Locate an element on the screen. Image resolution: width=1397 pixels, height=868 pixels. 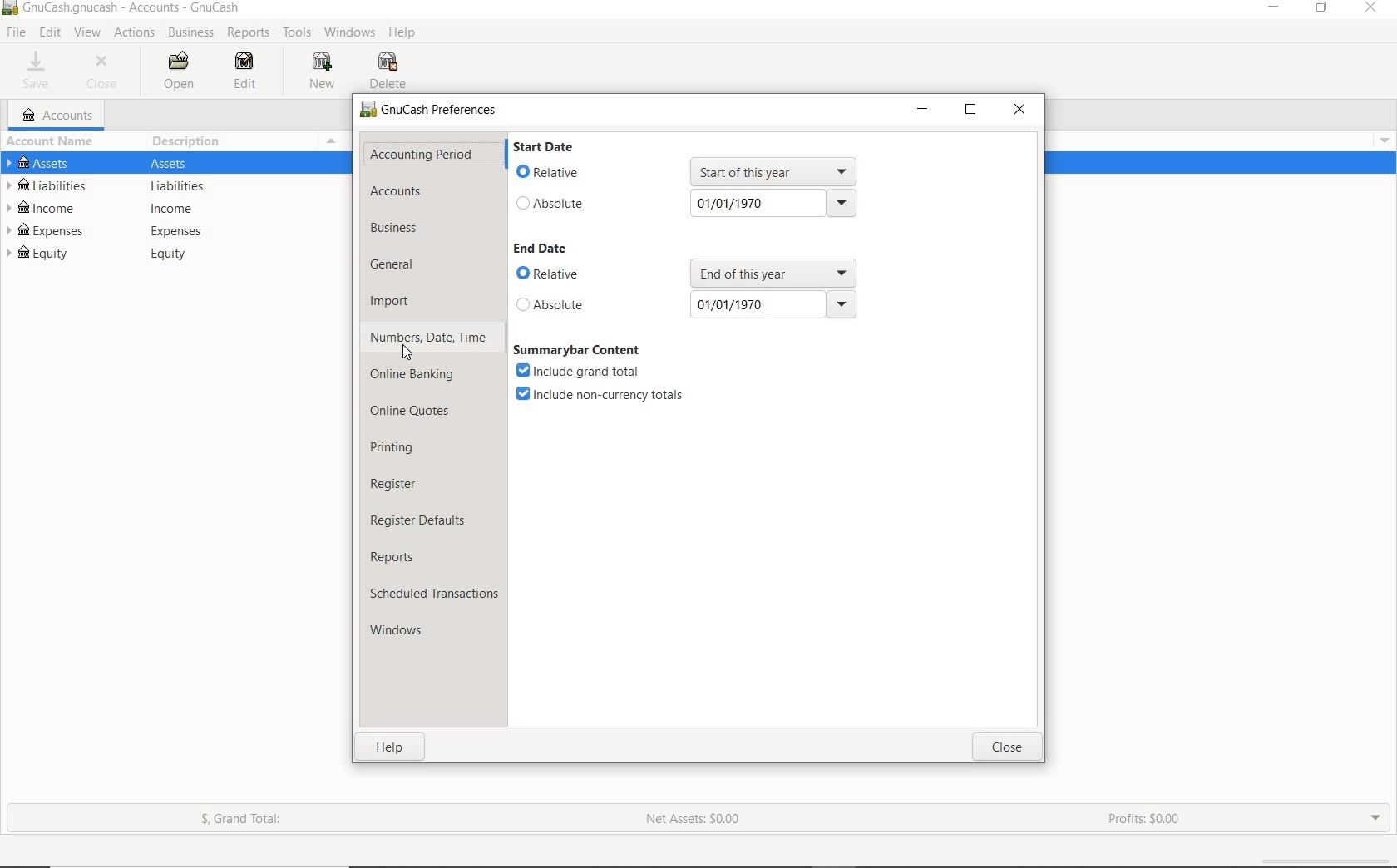
FILE is located at coordinates (17, 32).